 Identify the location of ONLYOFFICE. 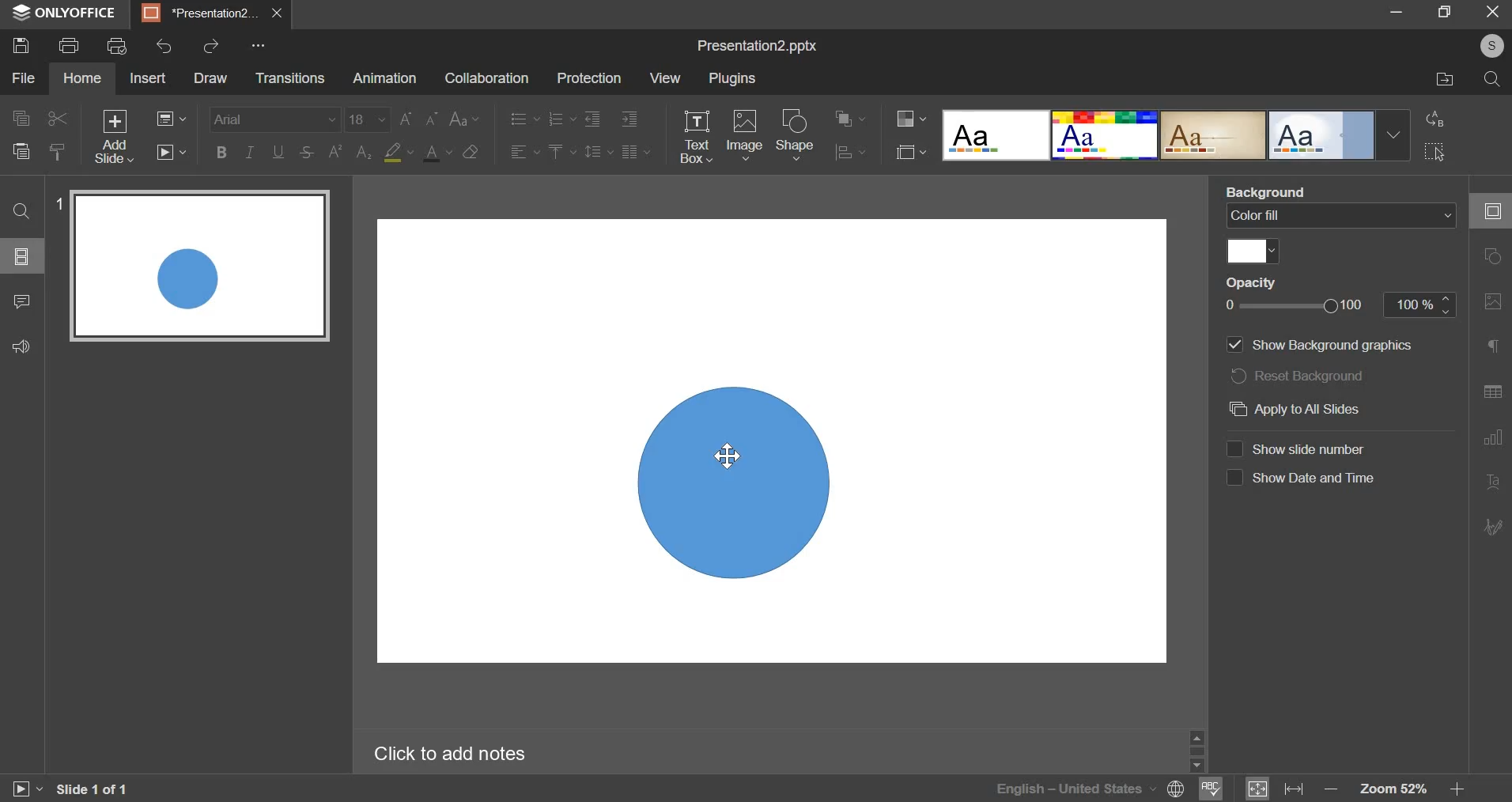
(68, 13).